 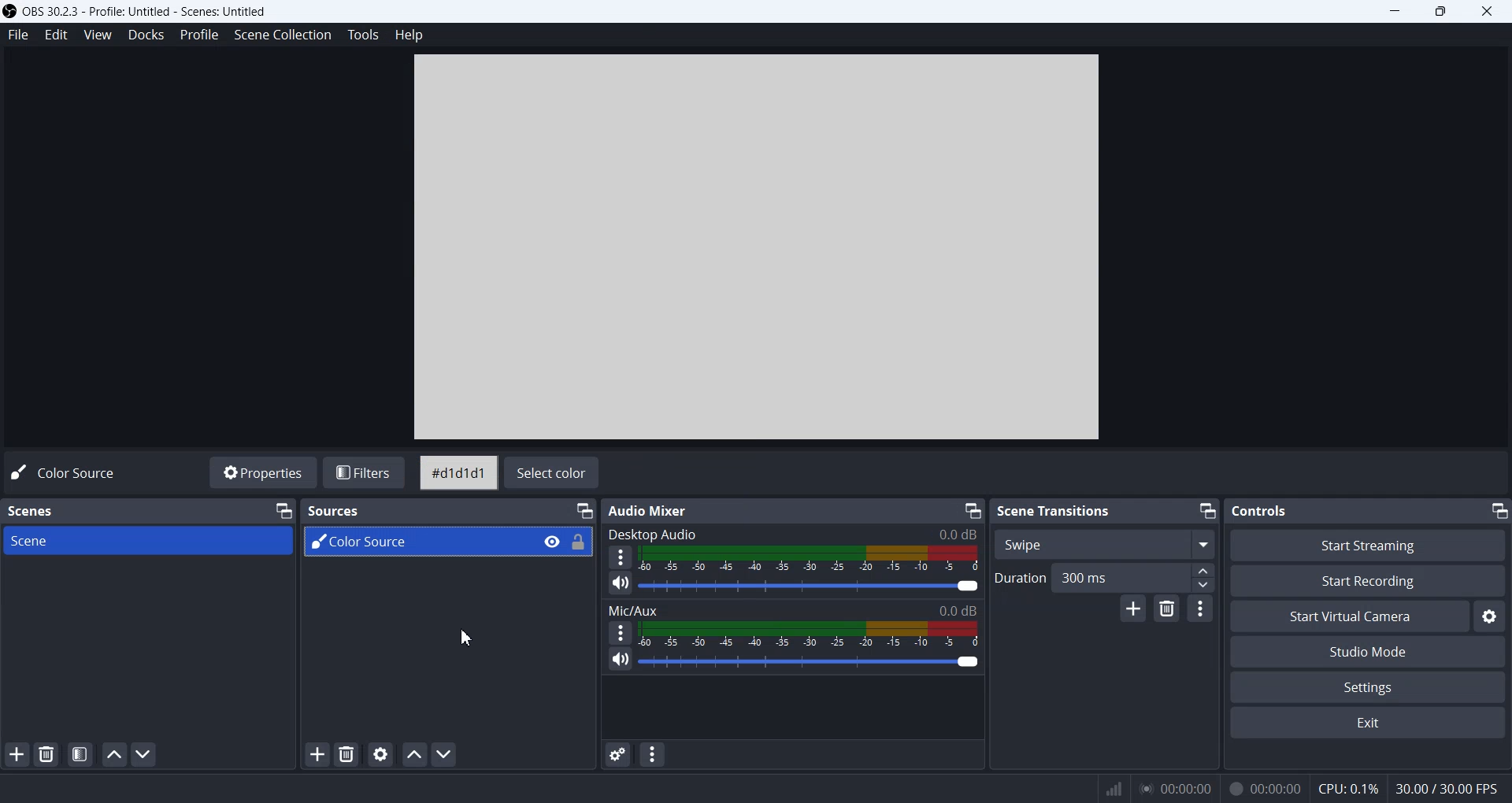 I want to click on 30.00 / 30.00 FPS, so click(x=1450, y=790).